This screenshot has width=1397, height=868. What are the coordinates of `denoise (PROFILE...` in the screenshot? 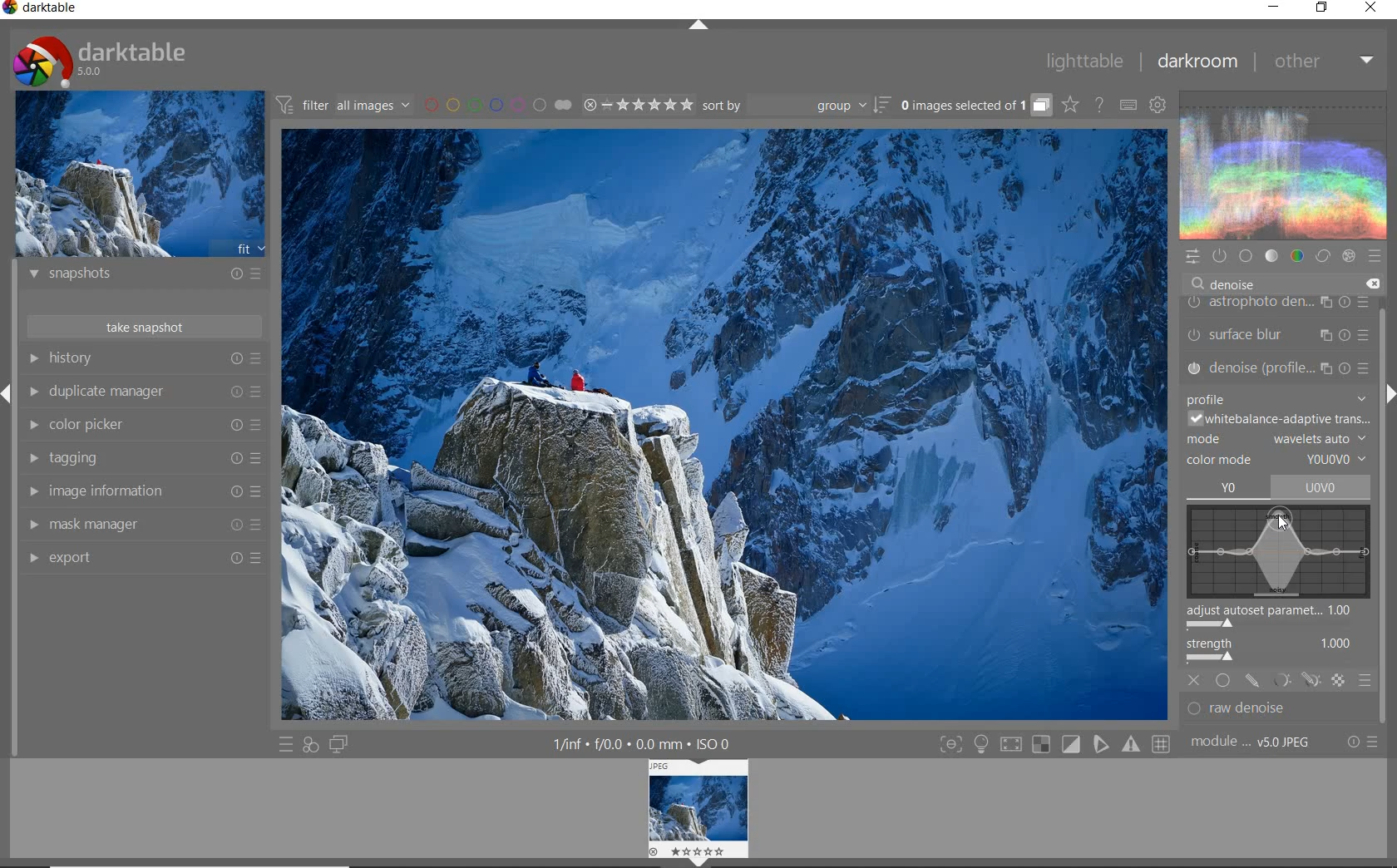 It's located at (1279, 366).